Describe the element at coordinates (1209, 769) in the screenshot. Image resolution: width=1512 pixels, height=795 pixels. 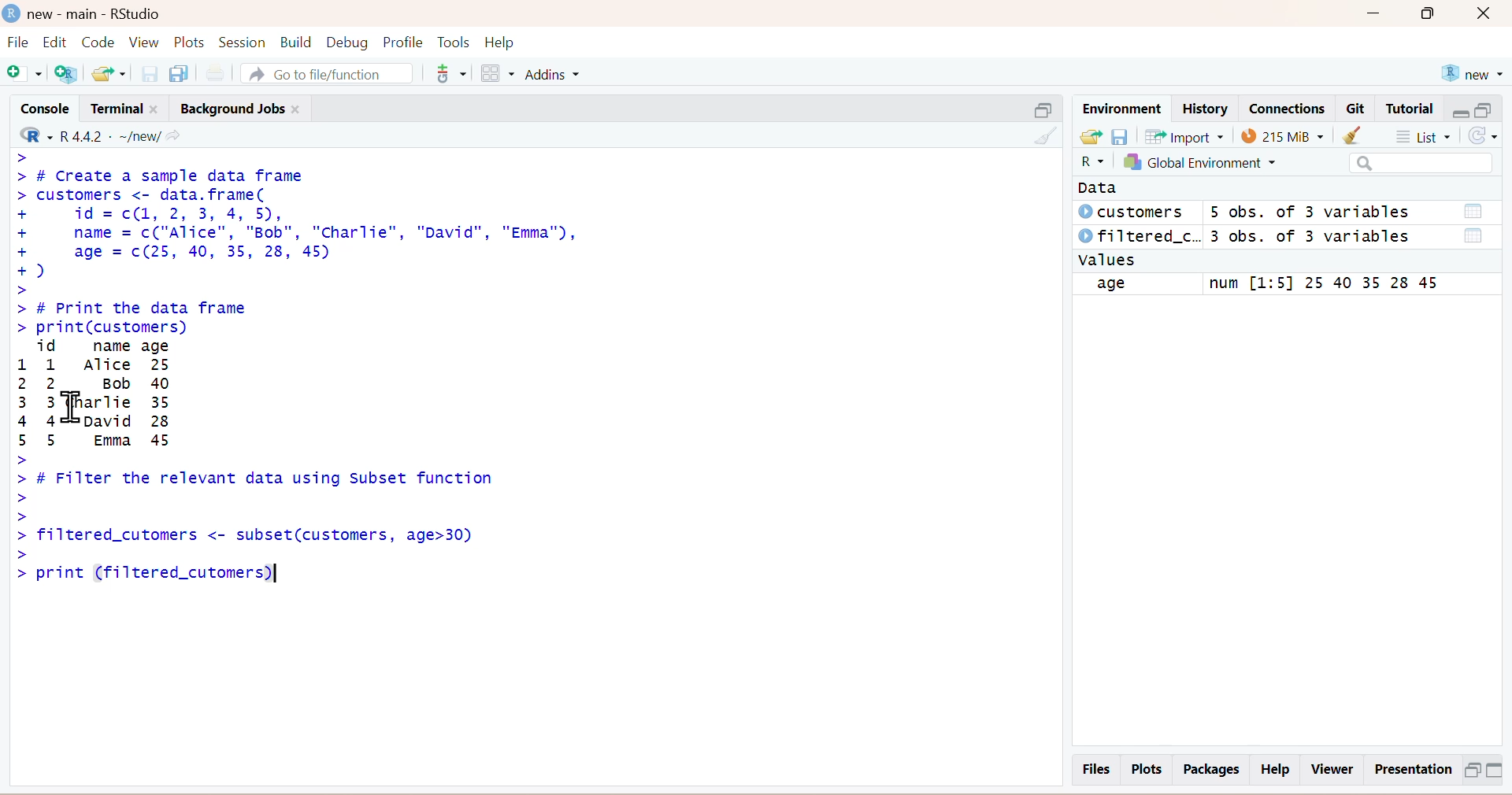
I see `Packages` at that location.